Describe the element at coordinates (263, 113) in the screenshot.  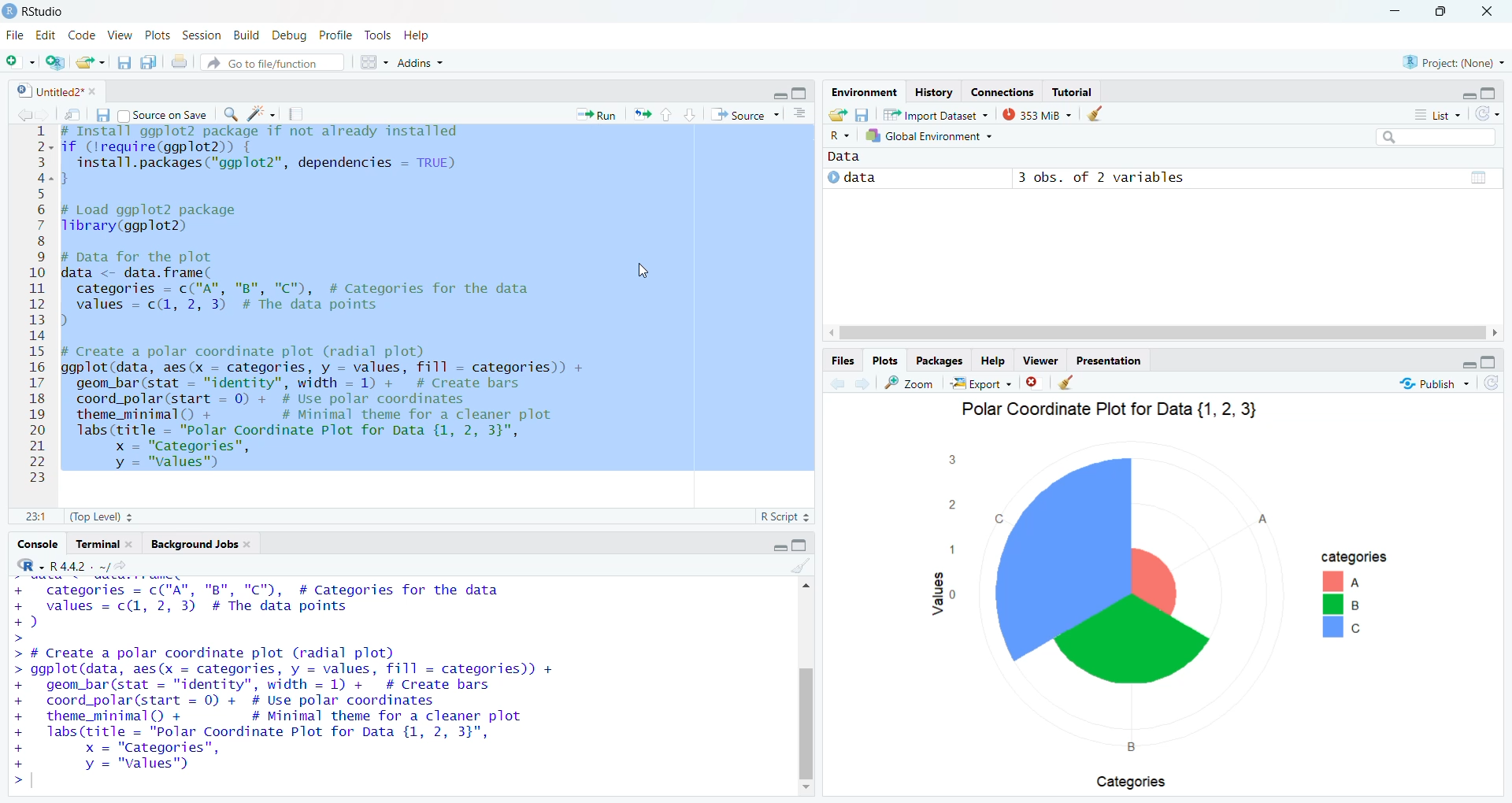
I see `code tools` at that location.